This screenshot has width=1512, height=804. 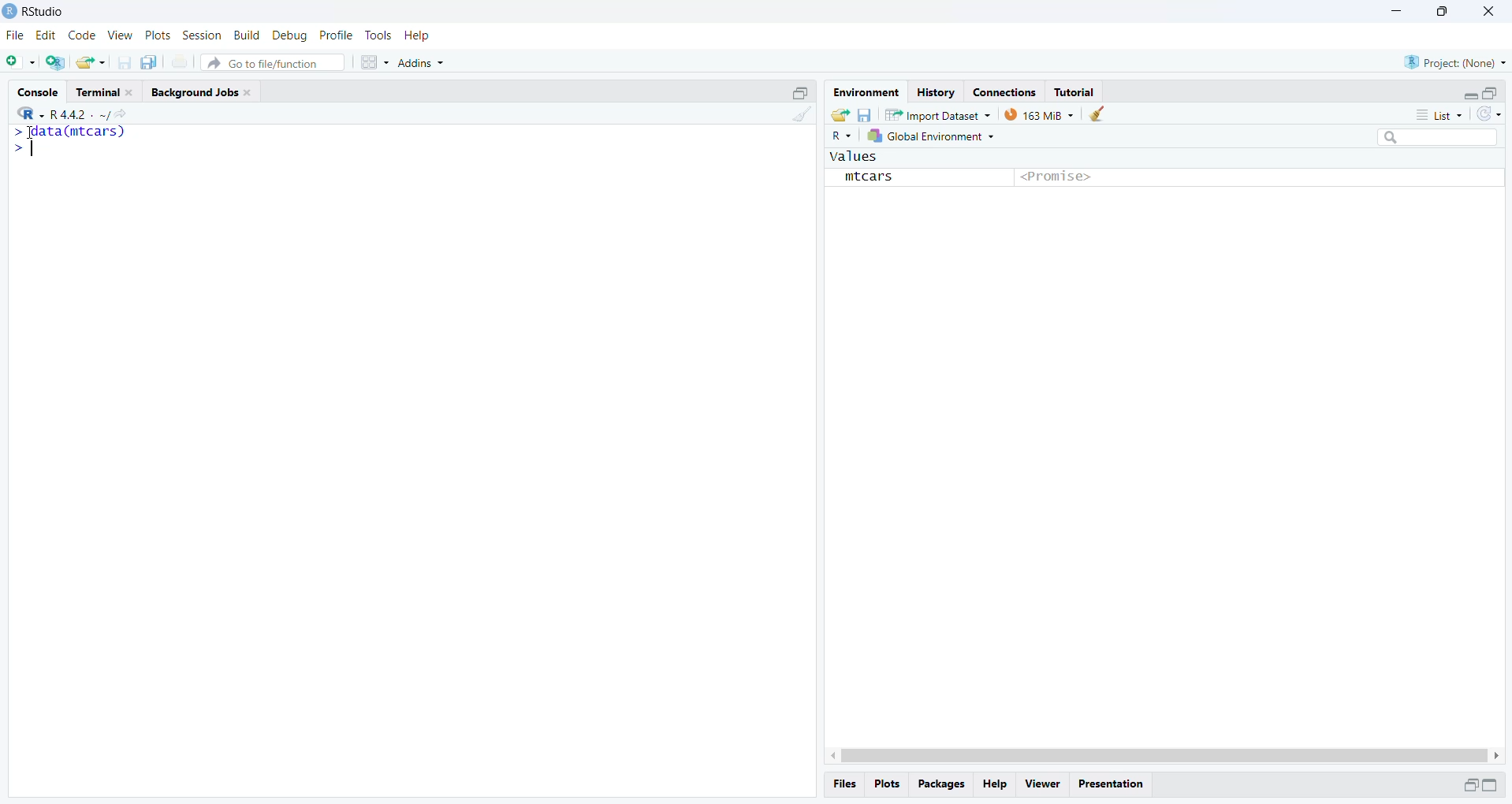 What do you see at coordinates (1111, 785) in the screenshot?
I see `Presentation` at bounding box center [1111, 785].